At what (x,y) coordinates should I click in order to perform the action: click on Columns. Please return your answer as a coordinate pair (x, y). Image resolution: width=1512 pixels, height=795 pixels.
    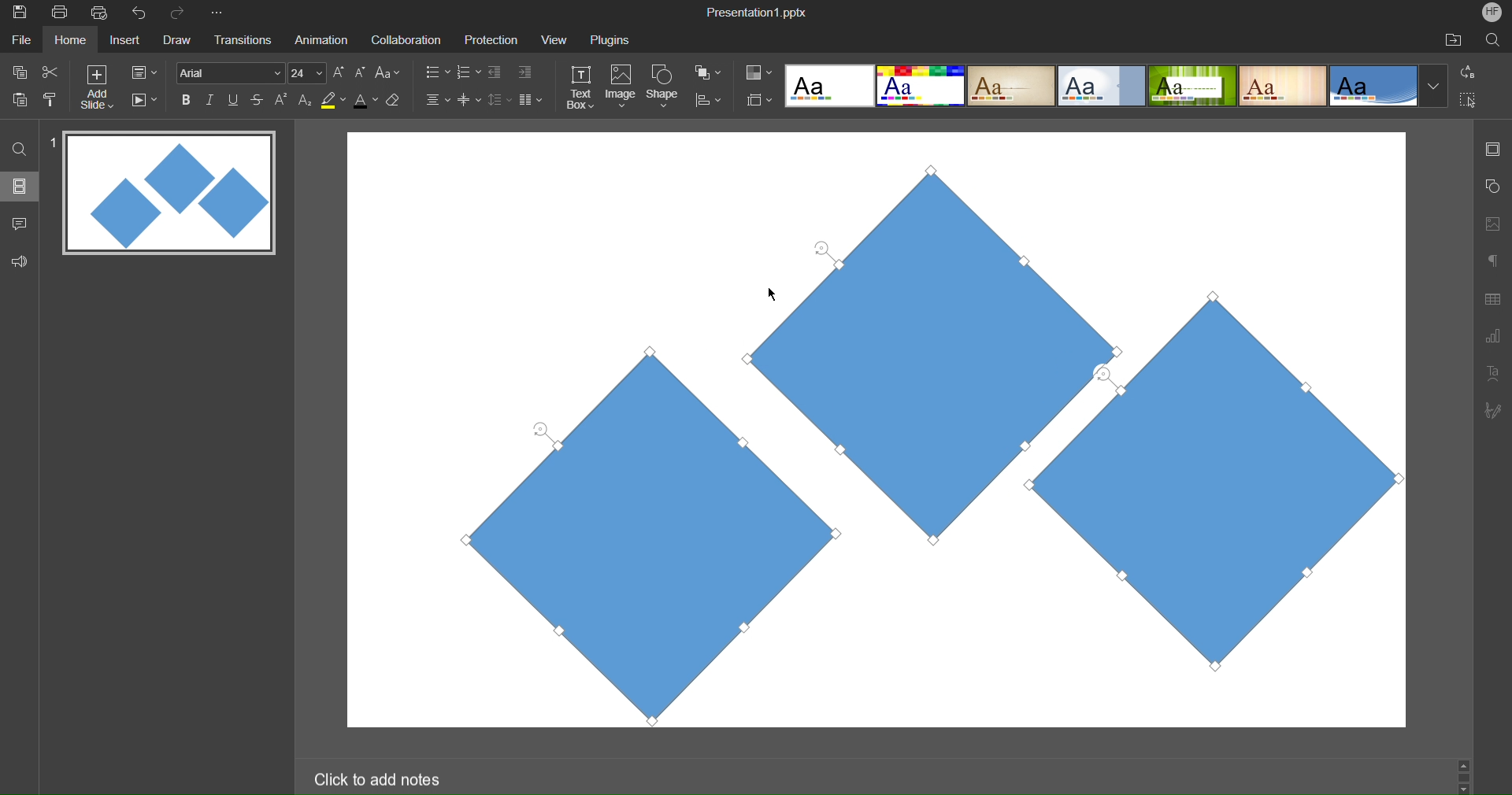
    Looking at the image, I should click on (532, 99).